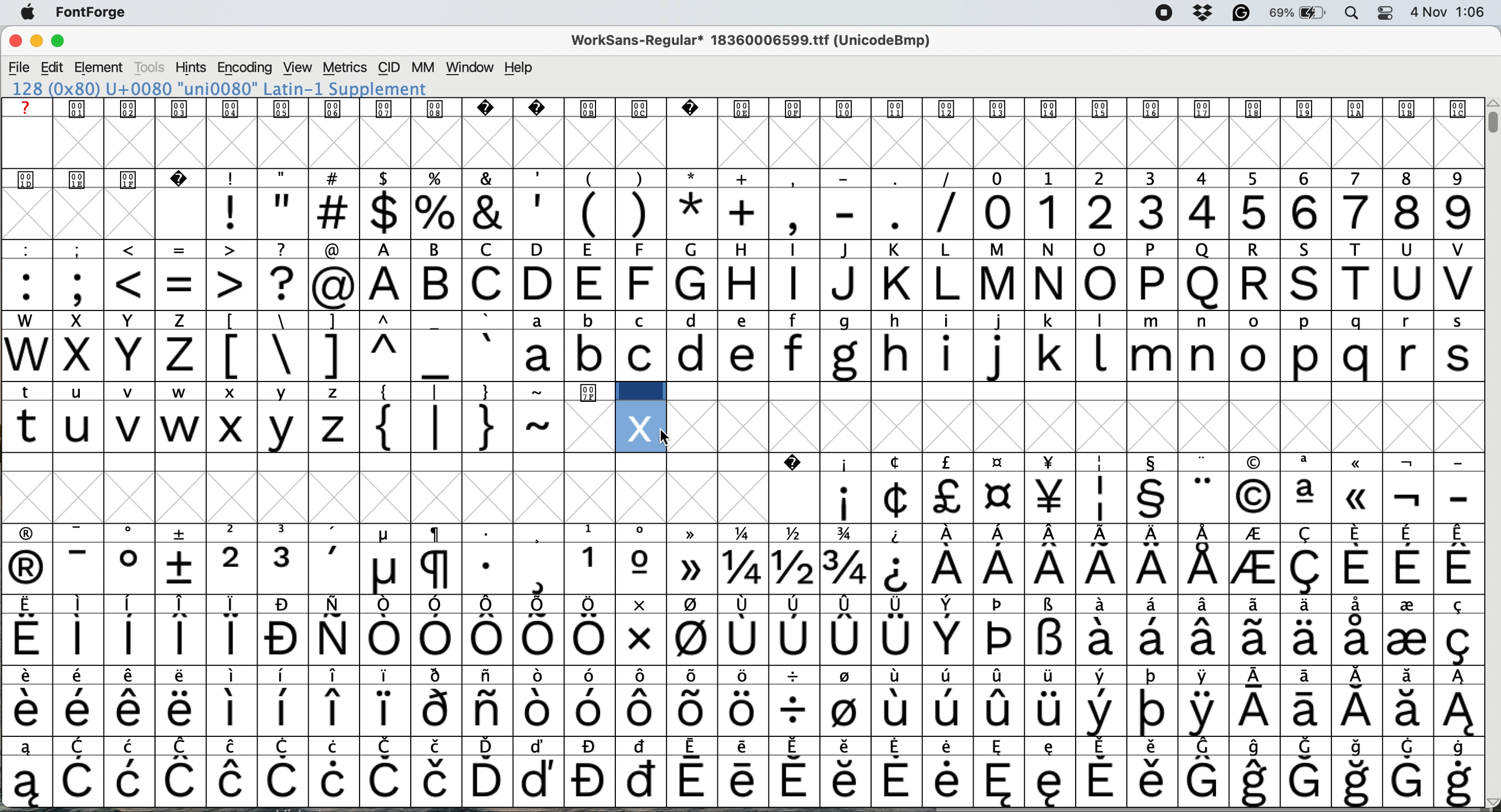 The image size is (1501, 812). What do you see at coordinates (1298, 13) in the screenshot?
I see `battery` at bounding box center [1298, 13].